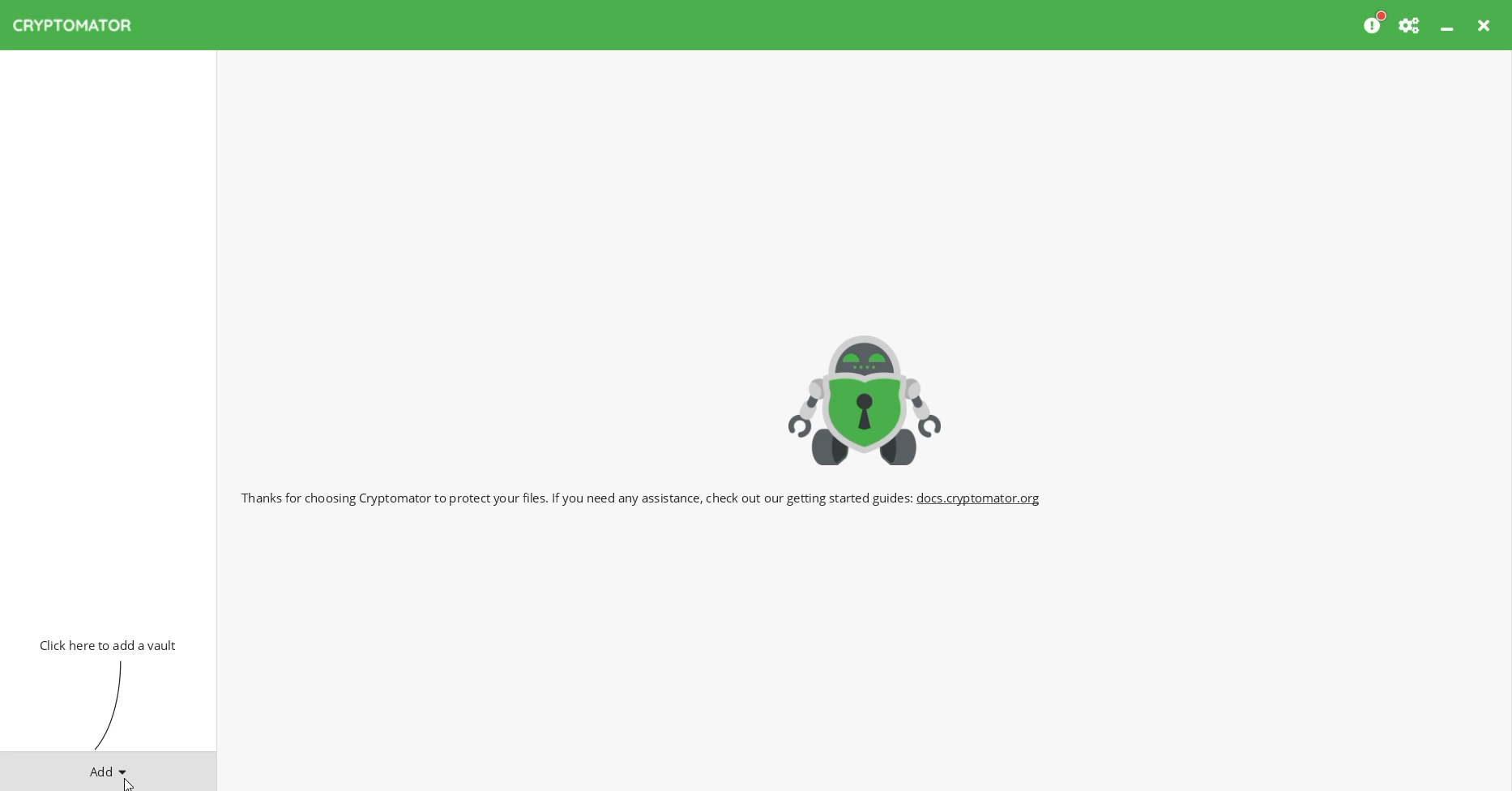 The height and width of the screenshot is (791, 1512). Describe the element at coordinates (127, 783) in the screenshot. I see `Cursor` at that location.